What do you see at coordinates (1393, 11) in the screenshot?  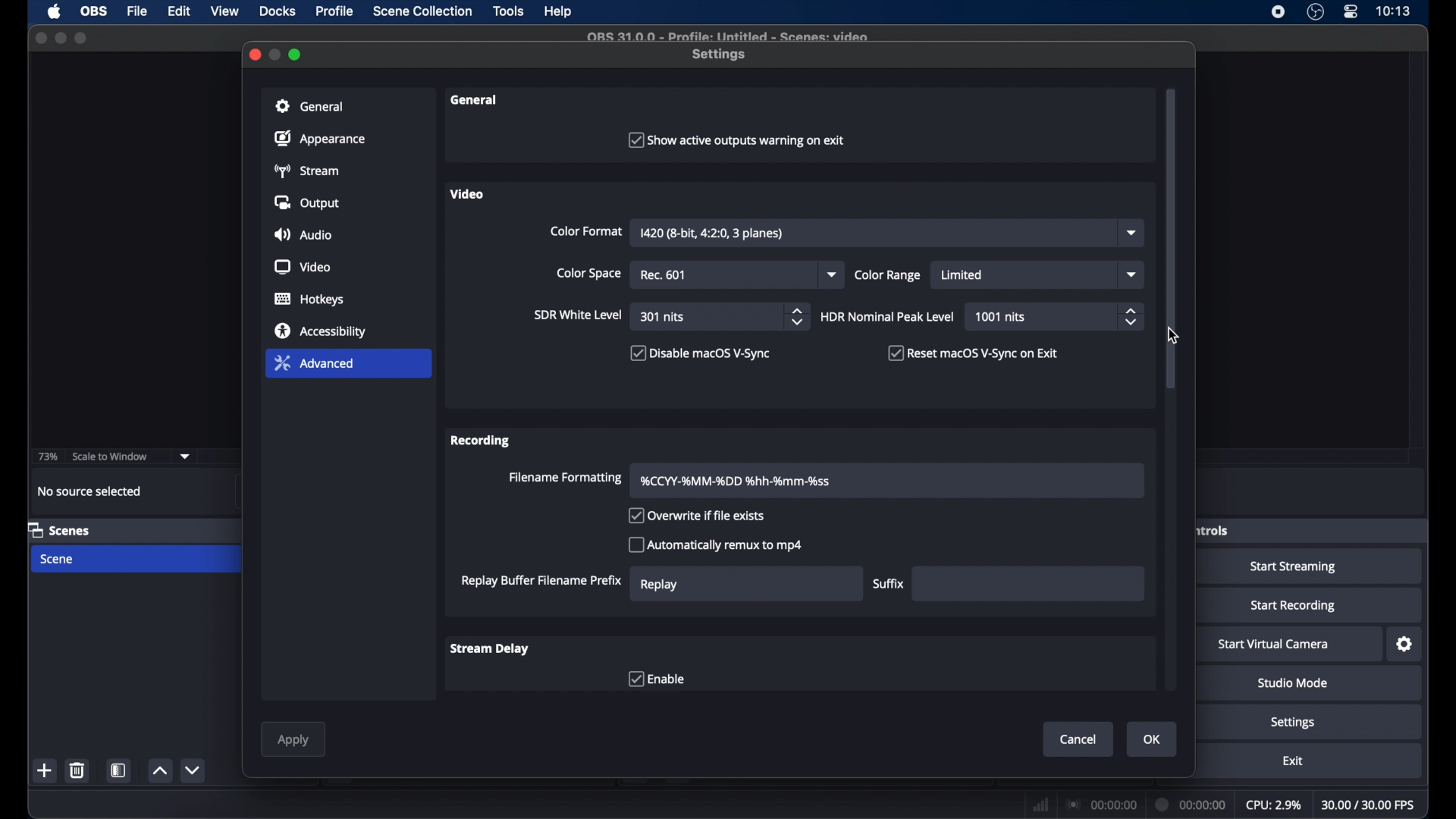 I see `time` at bounding box center [1393, 11].